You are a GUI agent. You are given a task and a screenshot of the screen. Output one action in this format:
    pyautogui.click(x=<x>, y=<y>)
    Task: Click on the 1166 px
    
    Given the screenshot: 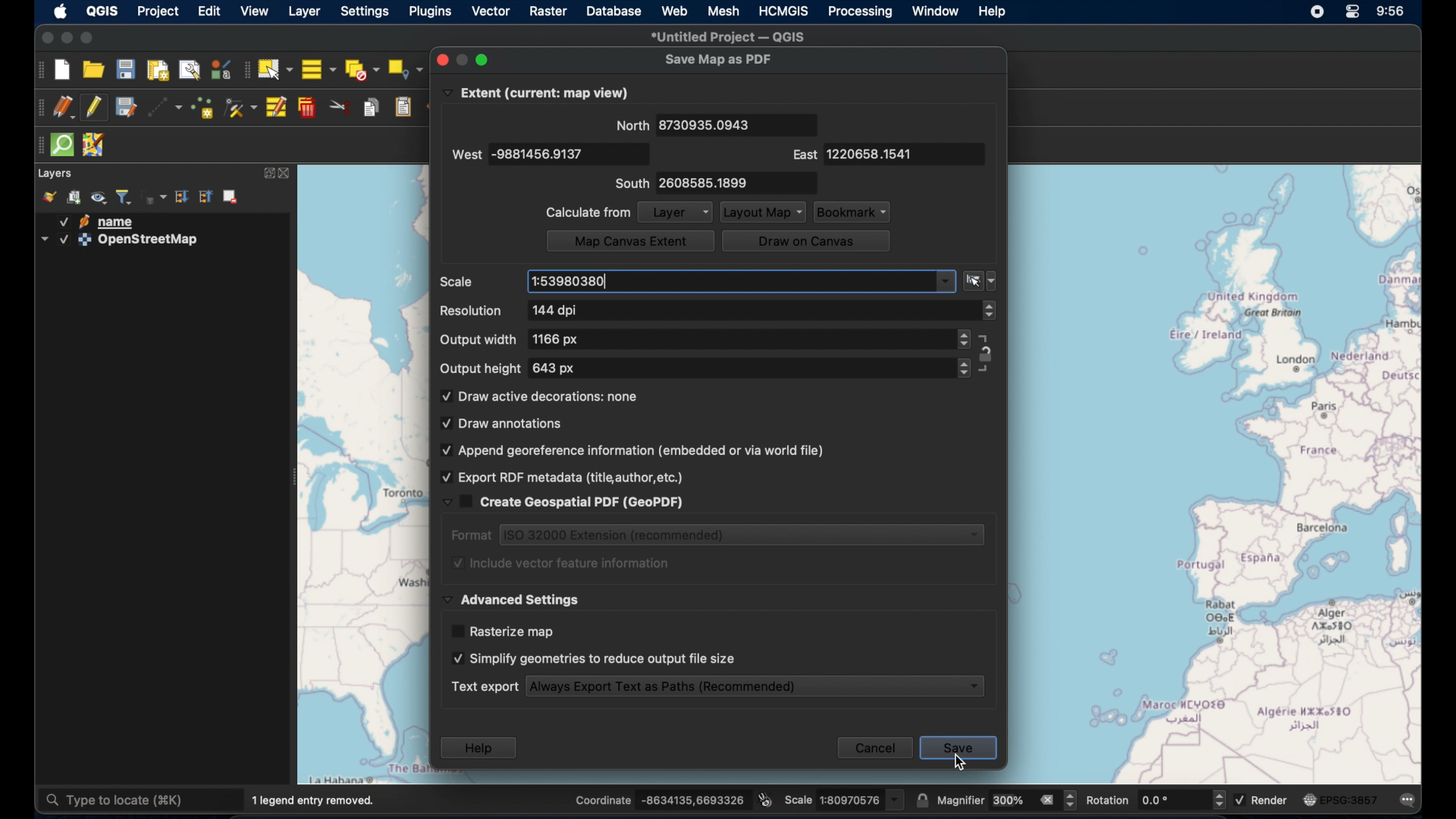 What is the action you would take?
    pyautogui.click(x=553, y=340)
    